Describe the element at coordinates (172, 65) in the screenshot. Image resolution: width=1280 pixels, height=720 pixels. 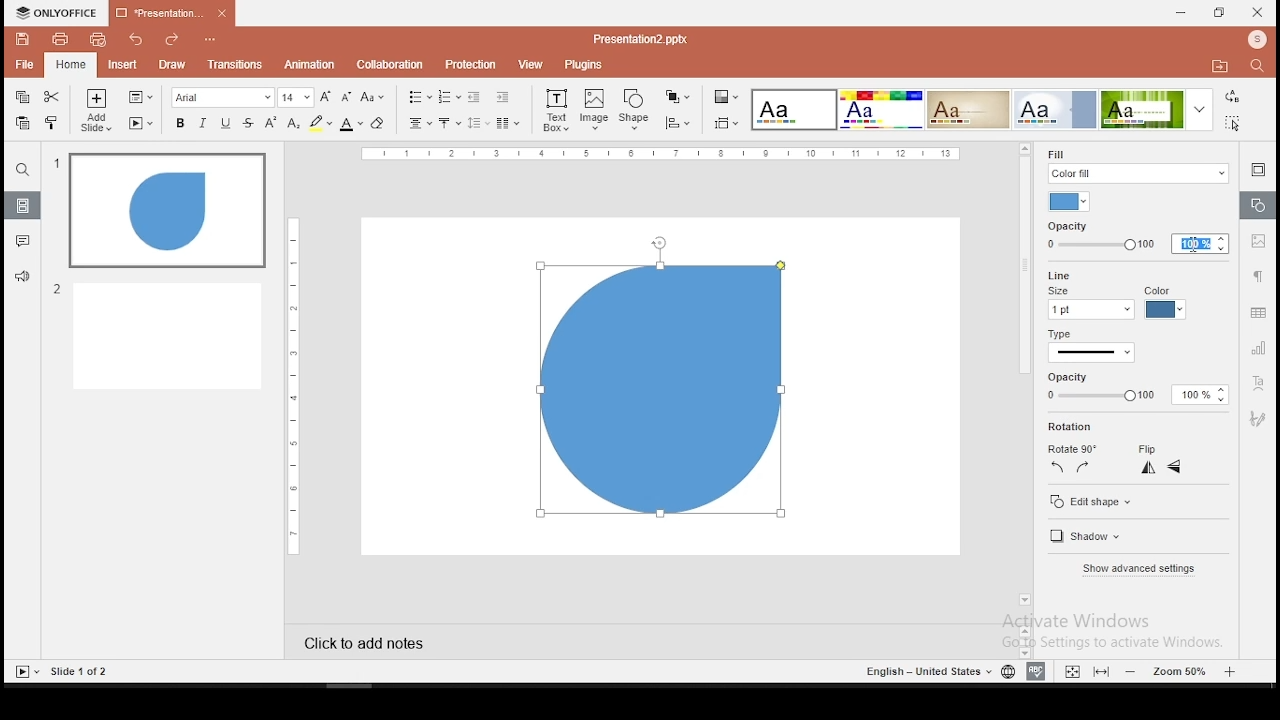
I see `draw` at that location.